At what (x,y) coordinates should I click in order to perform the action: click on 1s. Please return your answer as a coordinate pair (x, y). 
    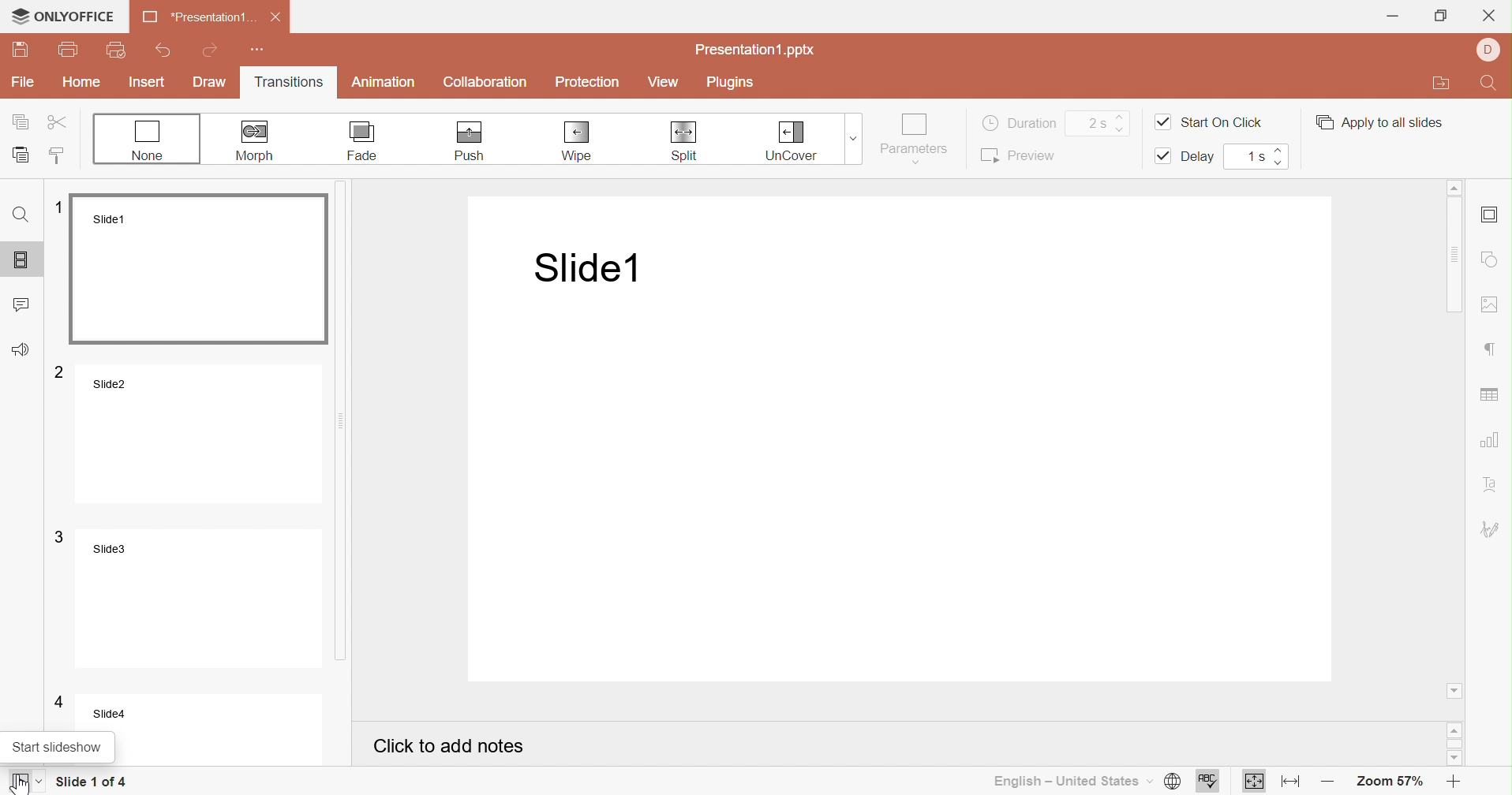
    Looking at the image, I should click on (1254, 156).